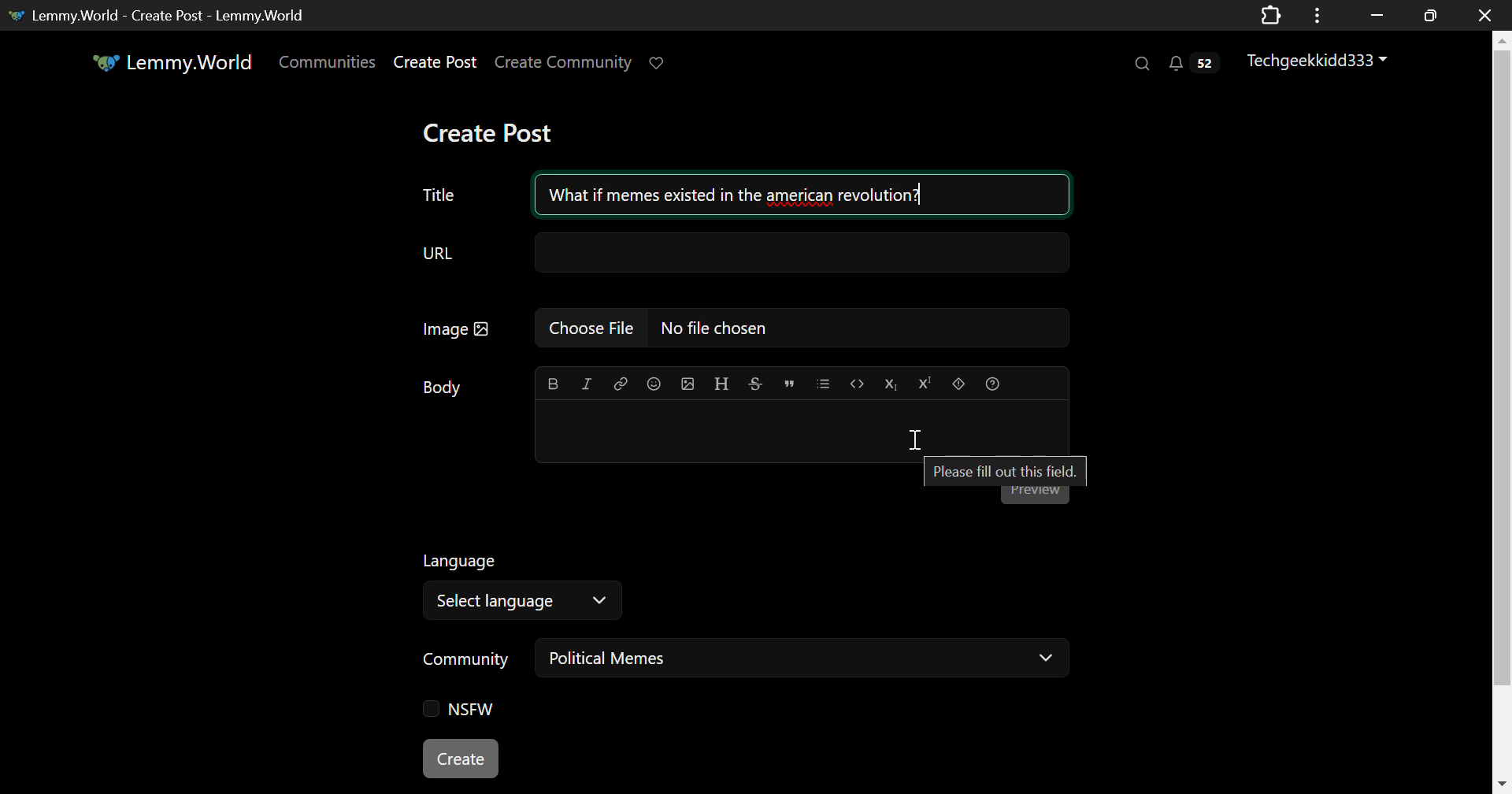 This screenshot has width=1512, height=794. Describe the element at coordinates (529, 586) in the screenshot. I see `Select Language` at that location.